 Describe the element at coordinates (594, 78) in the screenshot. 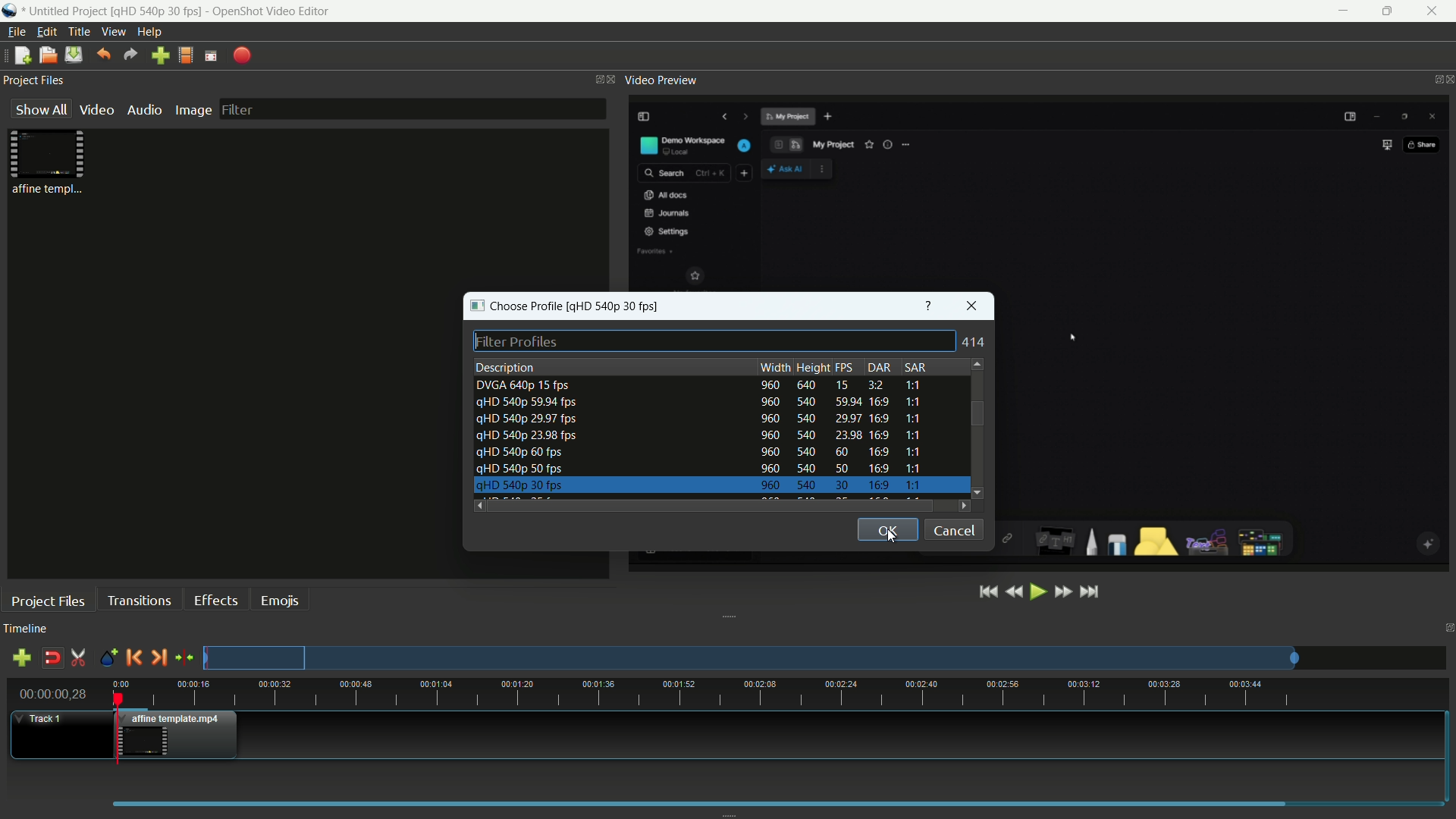

I see `change layout` at that location.